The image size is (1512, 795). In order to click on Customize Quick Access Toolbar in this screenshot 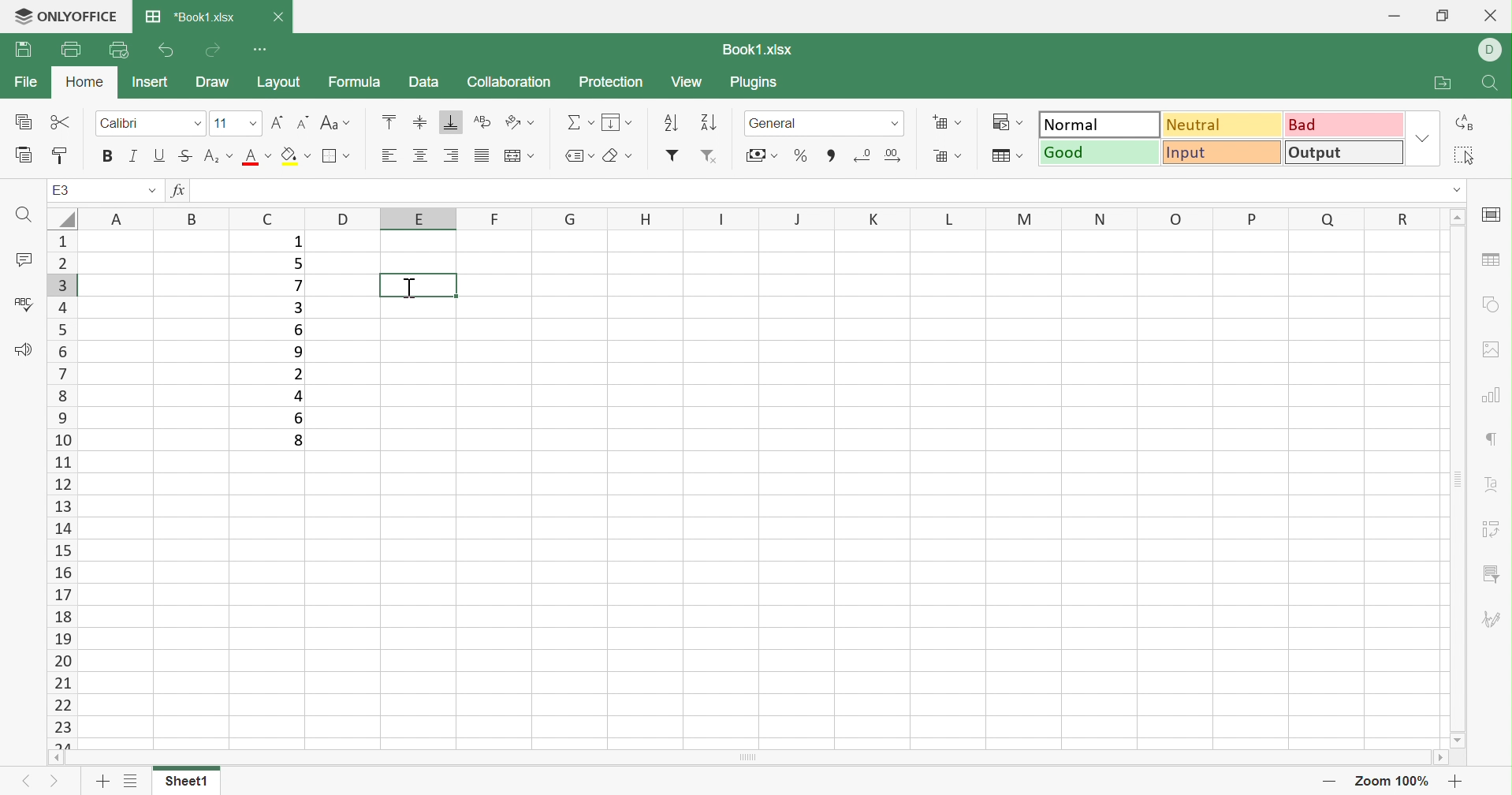, I will do `click(263, 50)`.